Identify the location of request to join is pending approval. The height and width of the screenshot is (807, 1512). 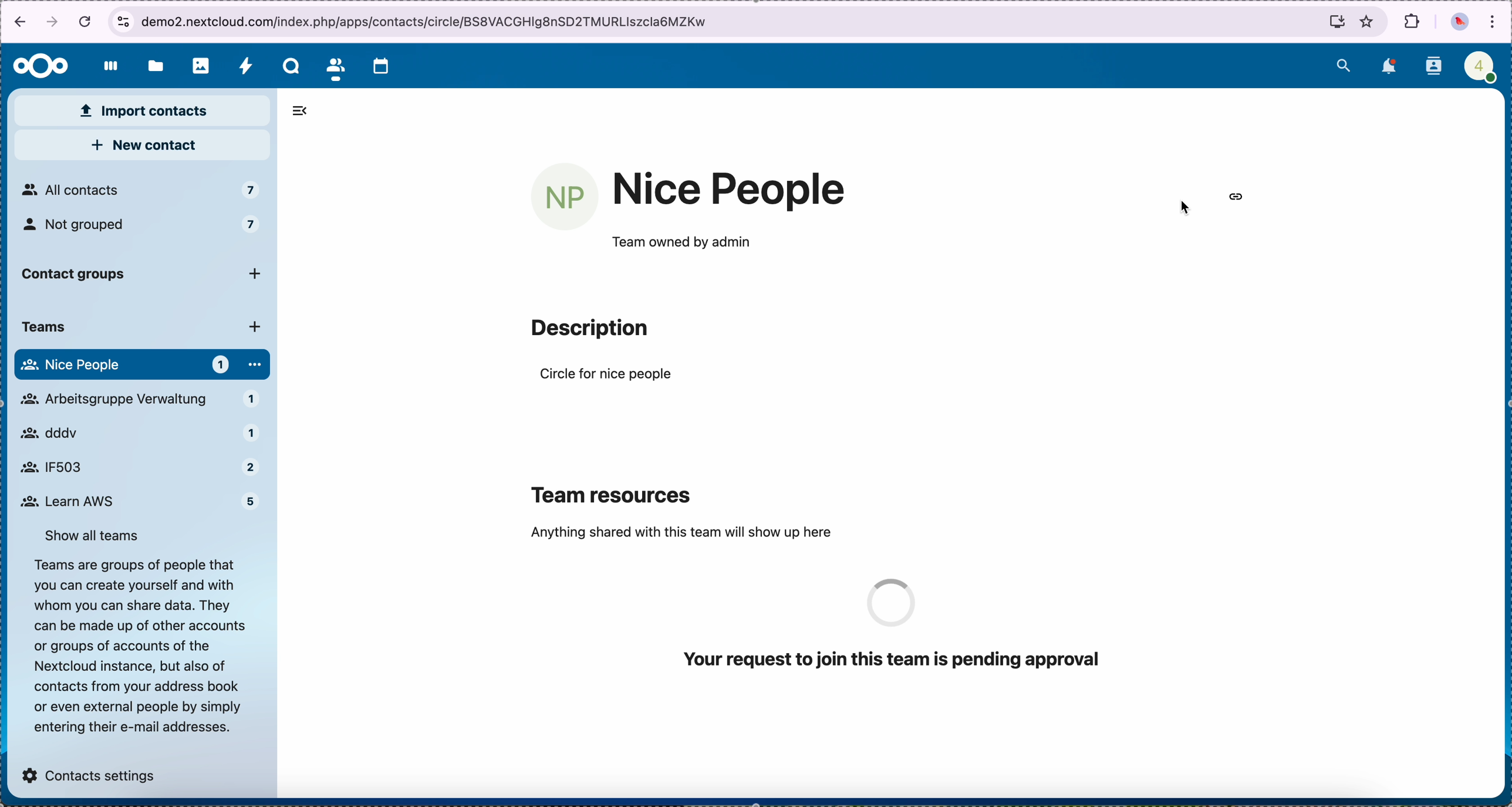
(910, 626).